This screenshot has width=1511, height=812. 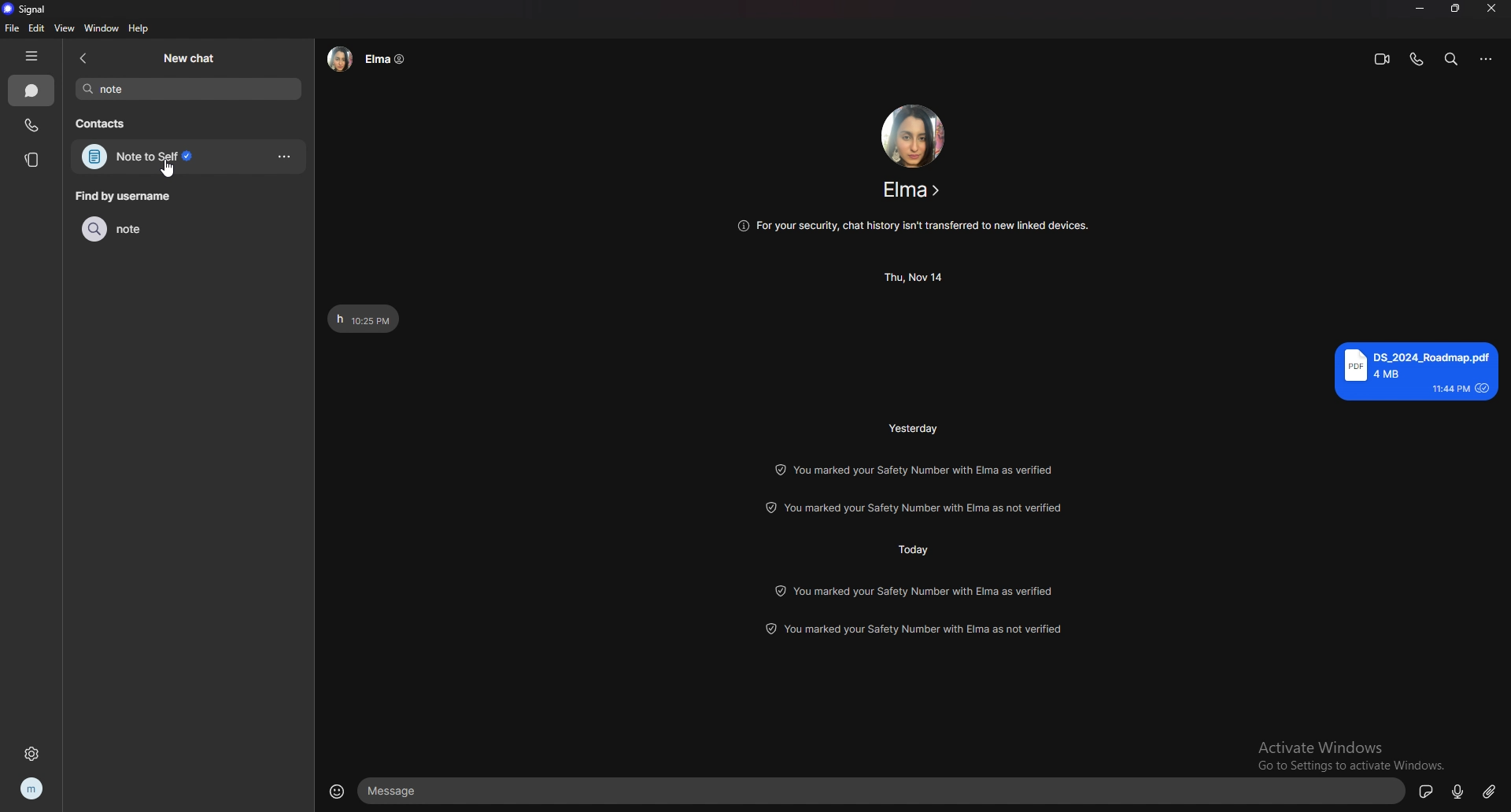 I want to click on resize, so click(x=1457, y=8).